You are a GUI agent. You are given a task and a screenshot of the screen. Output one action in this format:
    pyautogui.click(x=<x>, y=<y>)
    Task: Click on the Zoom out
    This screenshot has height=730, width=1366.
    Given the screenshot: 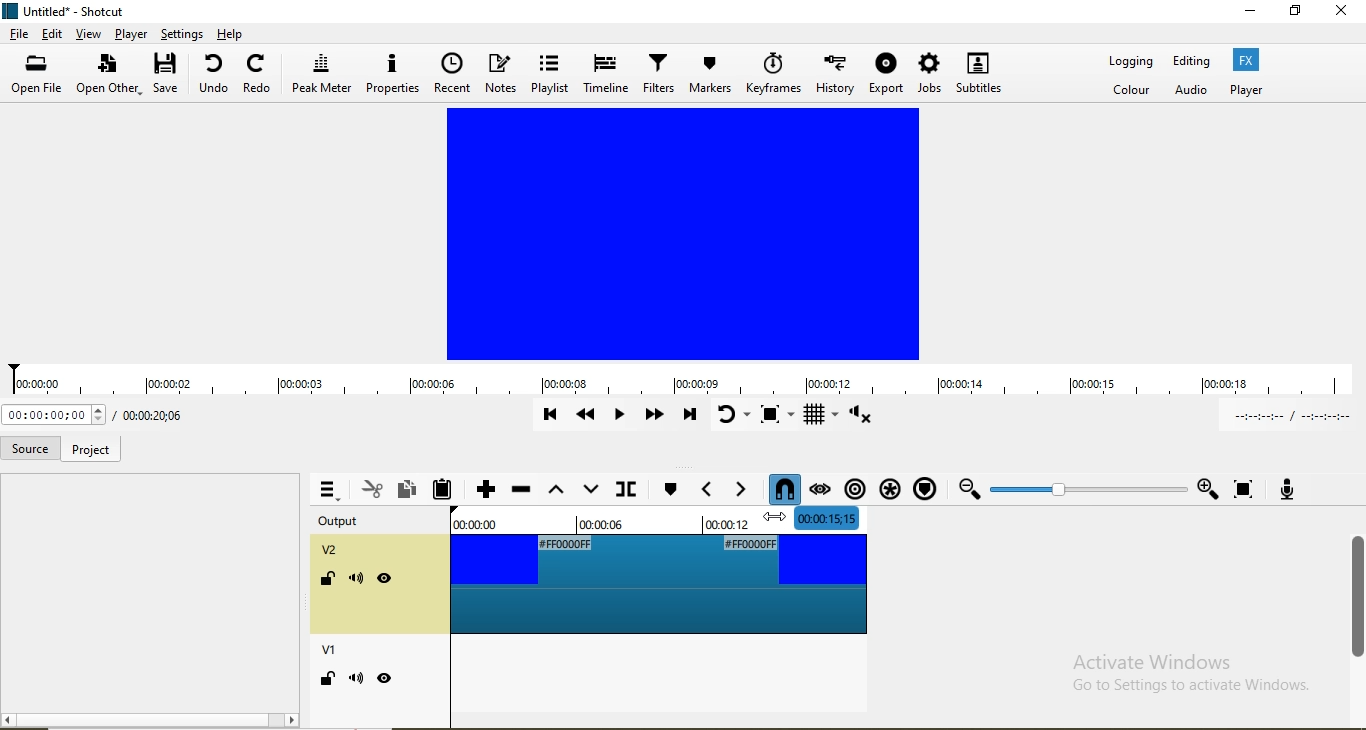 What is the action you would take?
    pyautogui.click(x=967, y=489)
    